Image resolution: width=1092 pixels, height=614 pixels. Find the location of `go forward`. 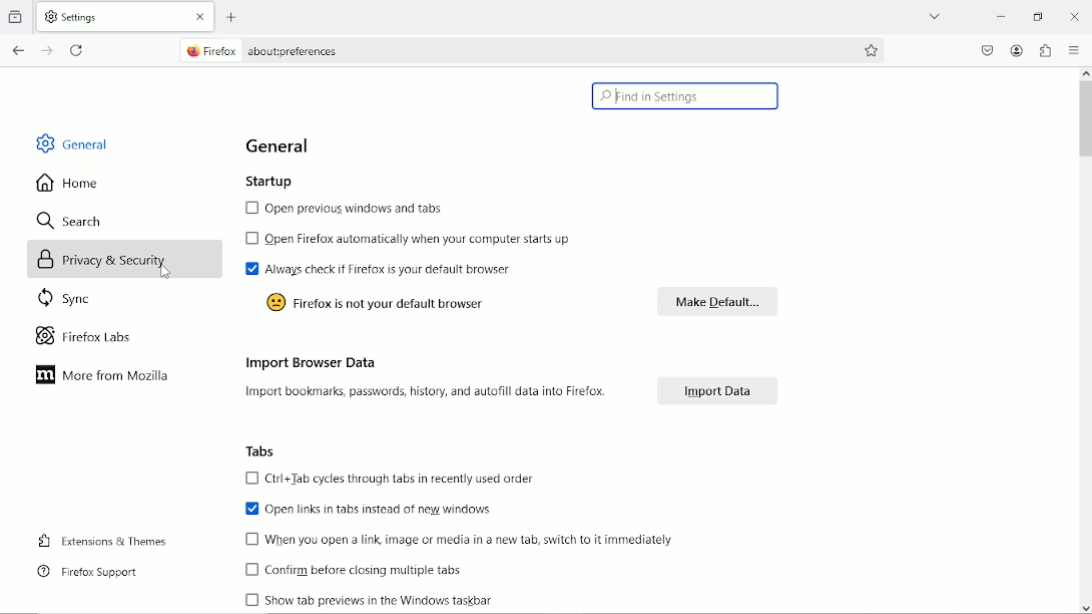

go forward is located at coordinates (47, 50).